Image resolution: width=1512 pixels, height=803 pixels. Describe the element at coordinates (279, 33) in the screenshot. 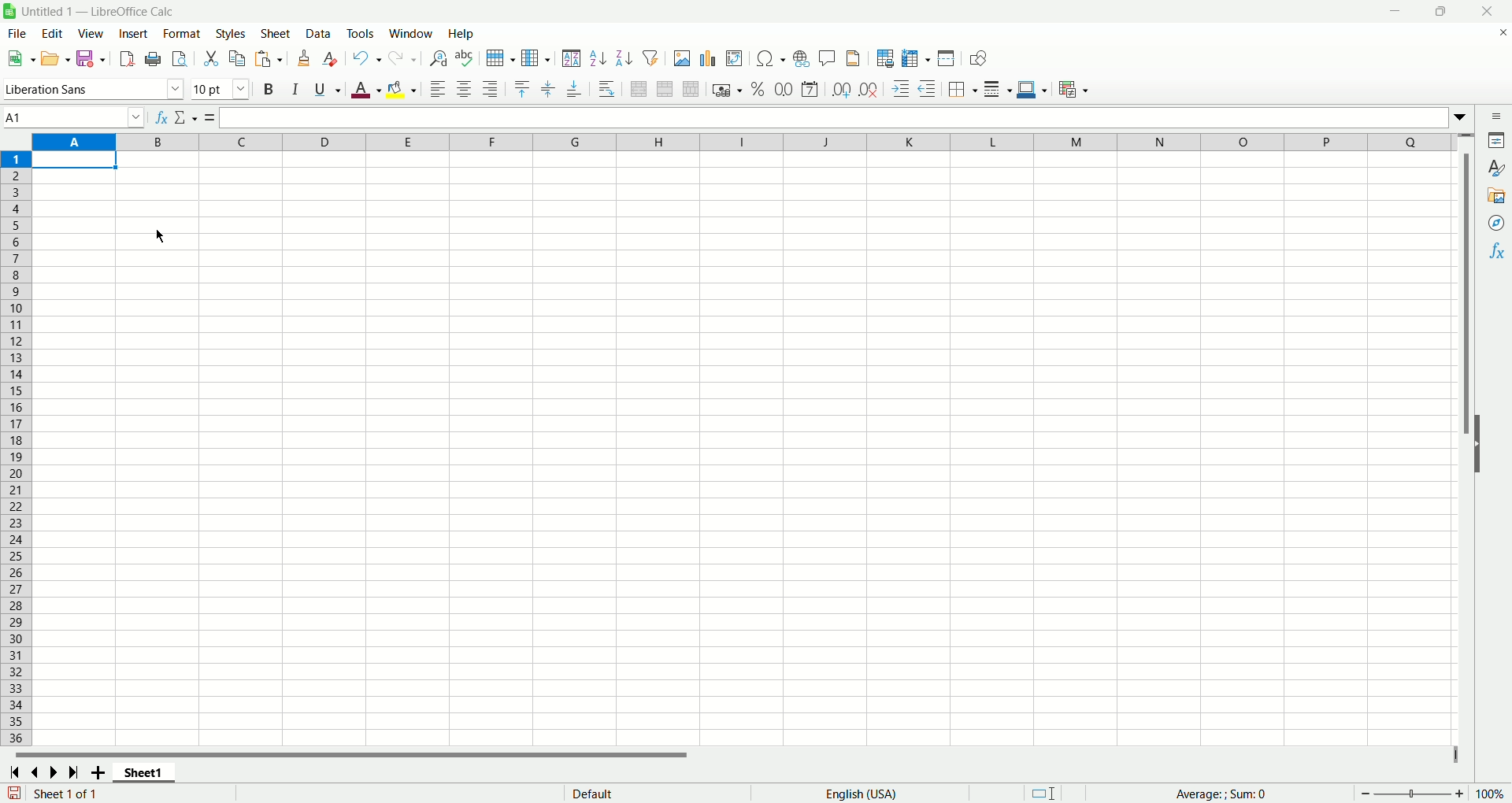

I see `sheet` at that location.